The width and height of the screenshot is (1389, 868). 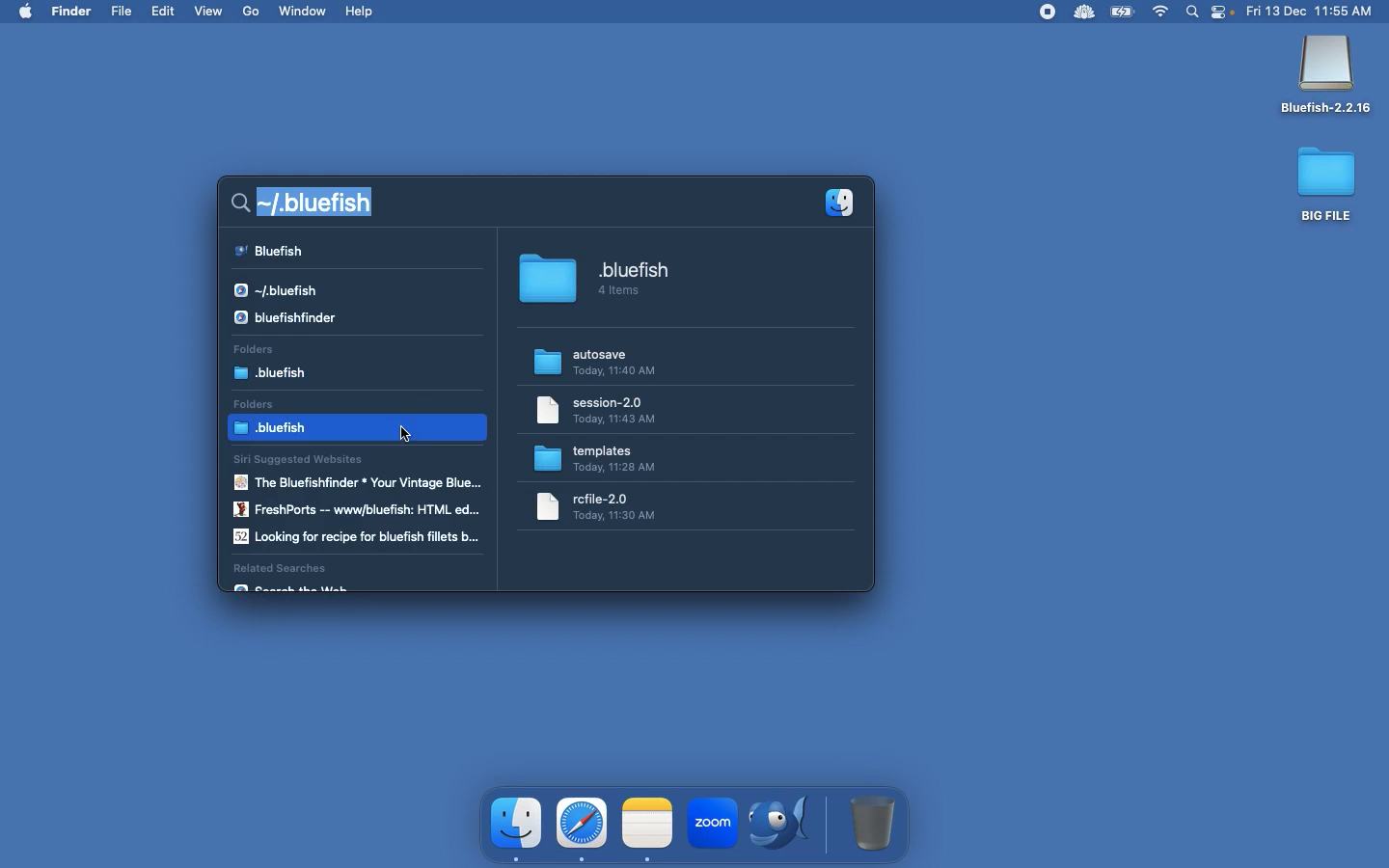 I want to click on Results, so click(x=282, y=253).